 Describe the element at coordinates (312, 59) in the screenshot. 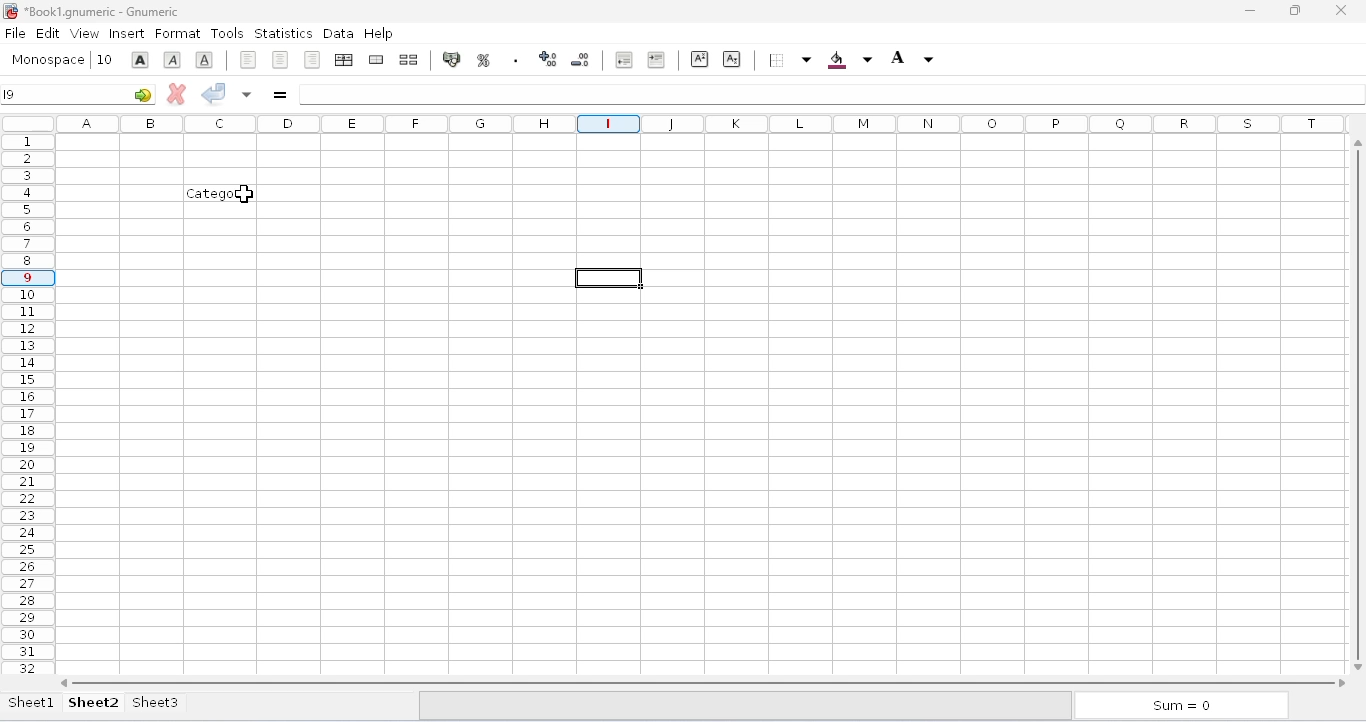

I see `align right` at that location.